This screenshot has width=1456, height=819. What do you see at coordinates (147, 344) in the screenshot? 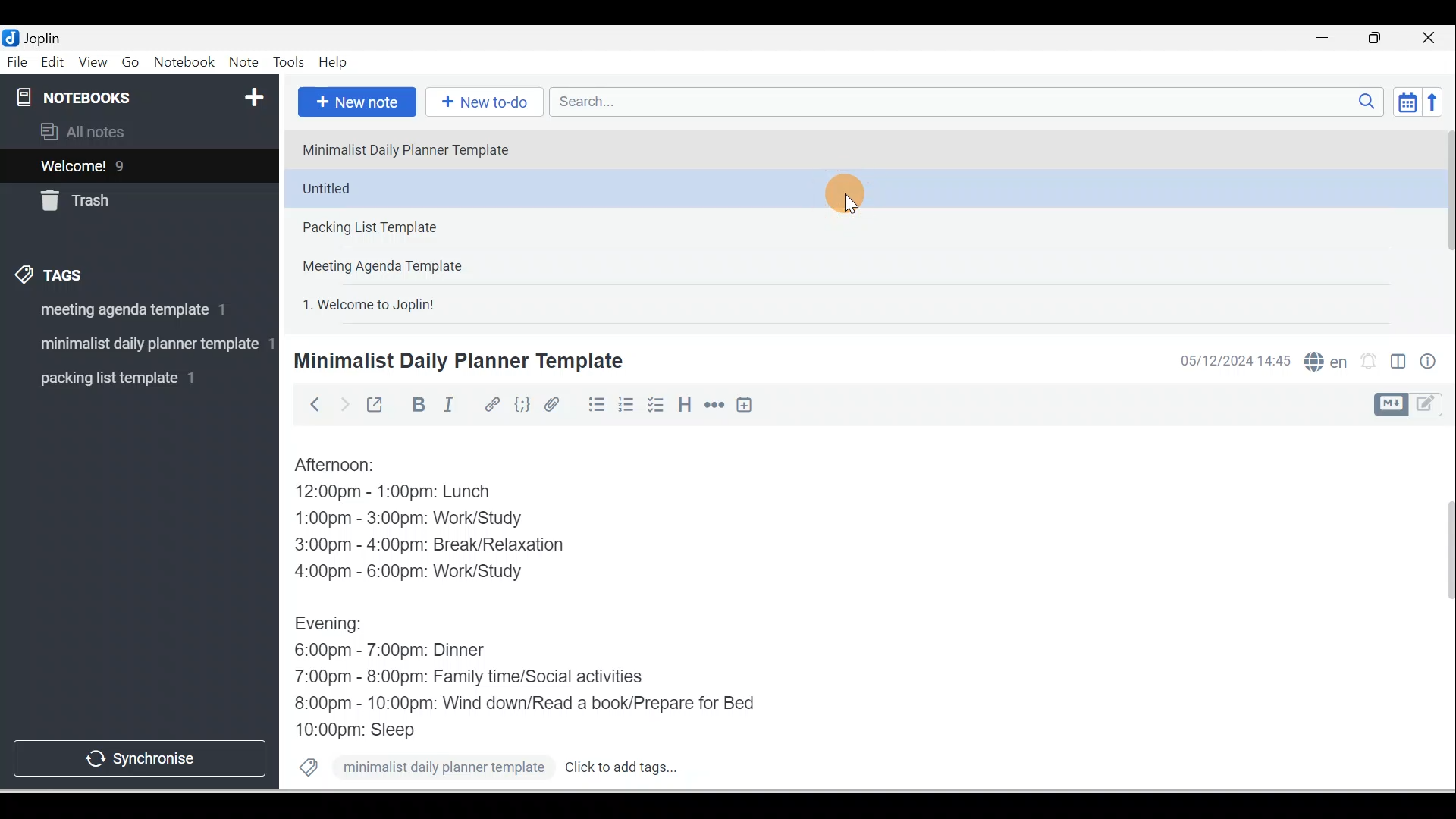
I see `tag 2` at bounding box center [147, 344].